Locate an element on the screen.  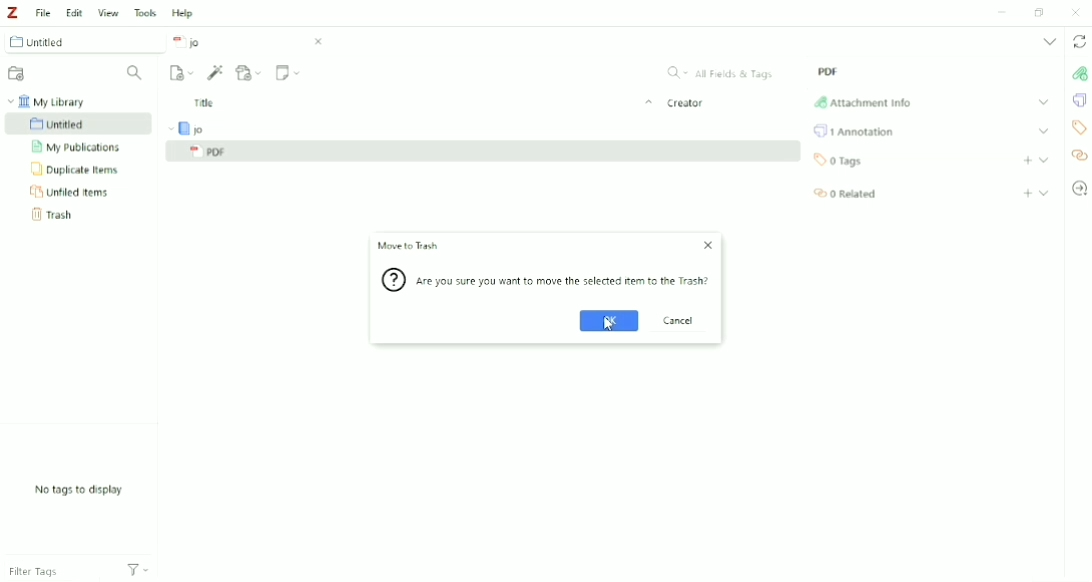
New Collection is located at coordinates (18, 73).